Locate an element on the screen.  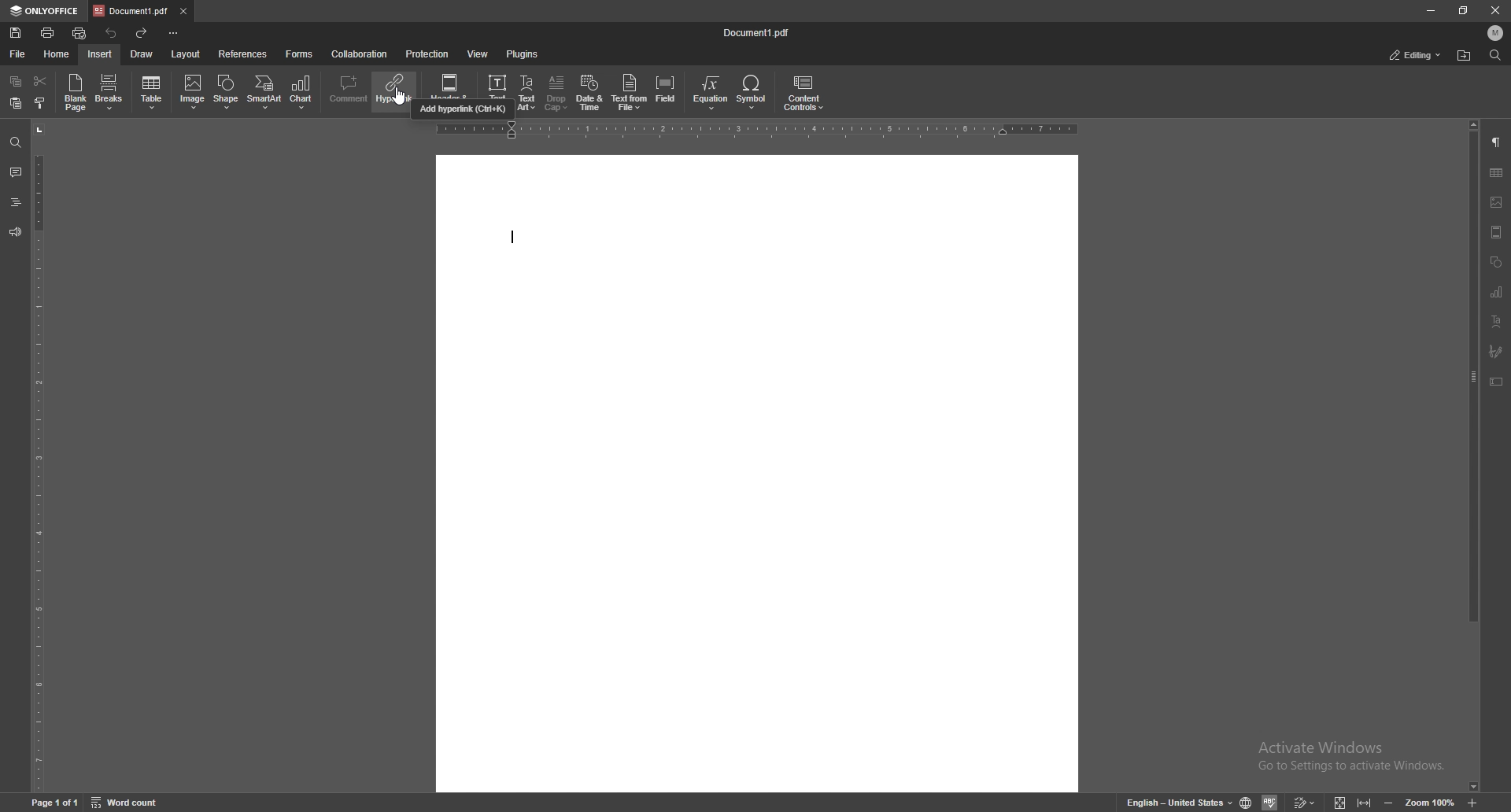
headings is located at coordinates (15, 202).